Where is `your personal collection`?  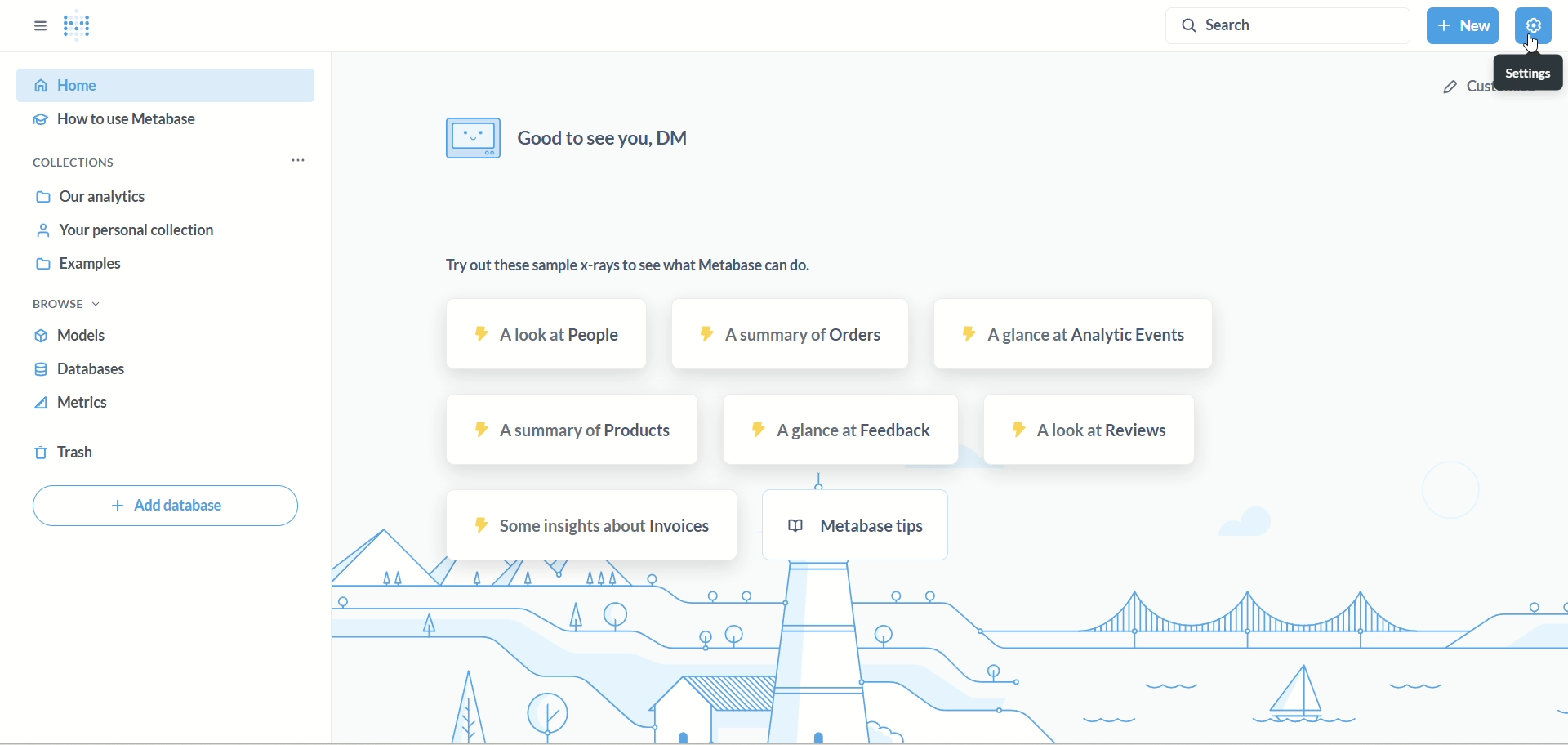 your personal collection is located at coordinates (121, 229).